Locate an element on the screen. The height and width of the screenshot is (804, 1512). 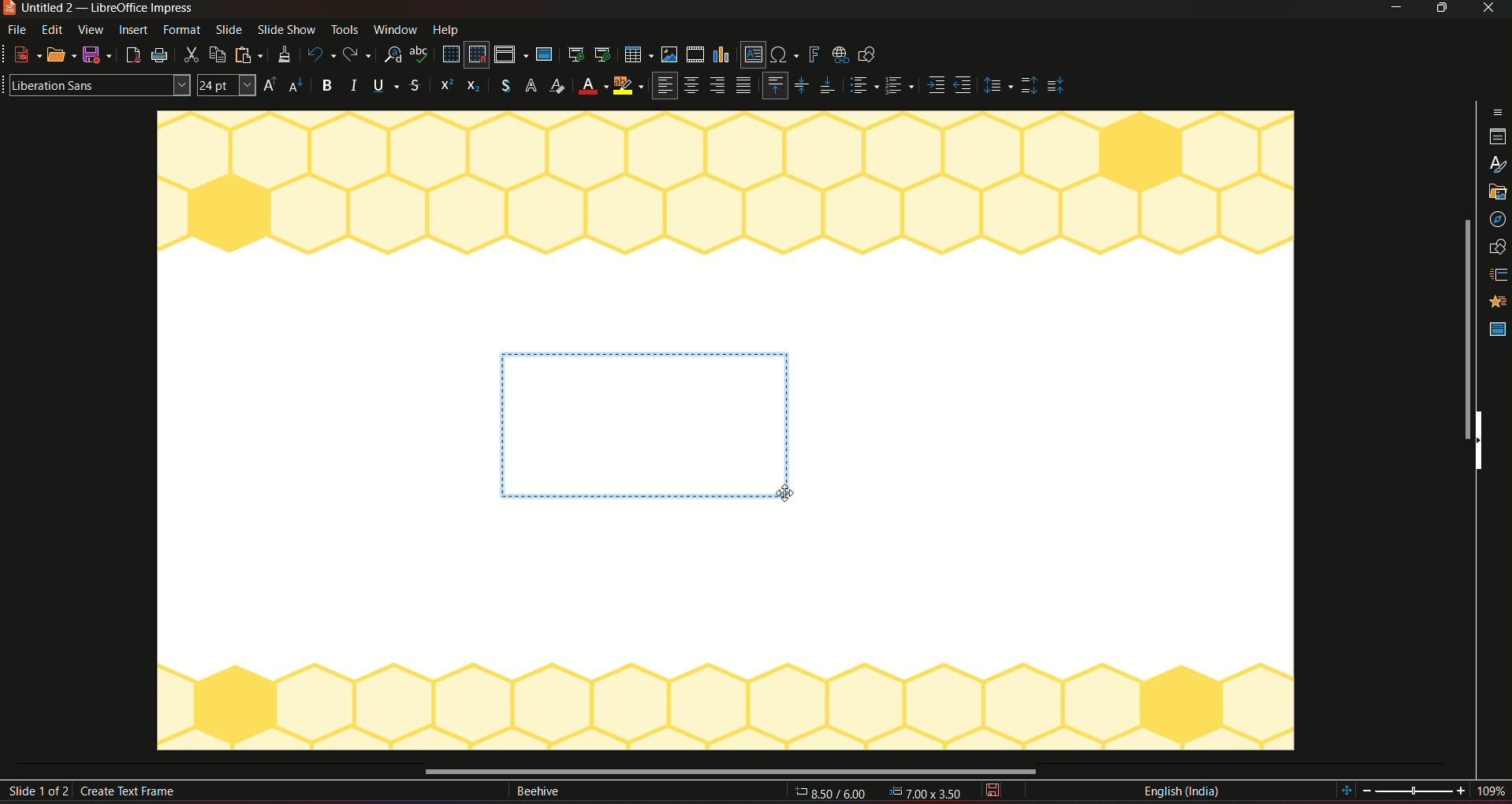
undo is located at coordinates (320, 54).